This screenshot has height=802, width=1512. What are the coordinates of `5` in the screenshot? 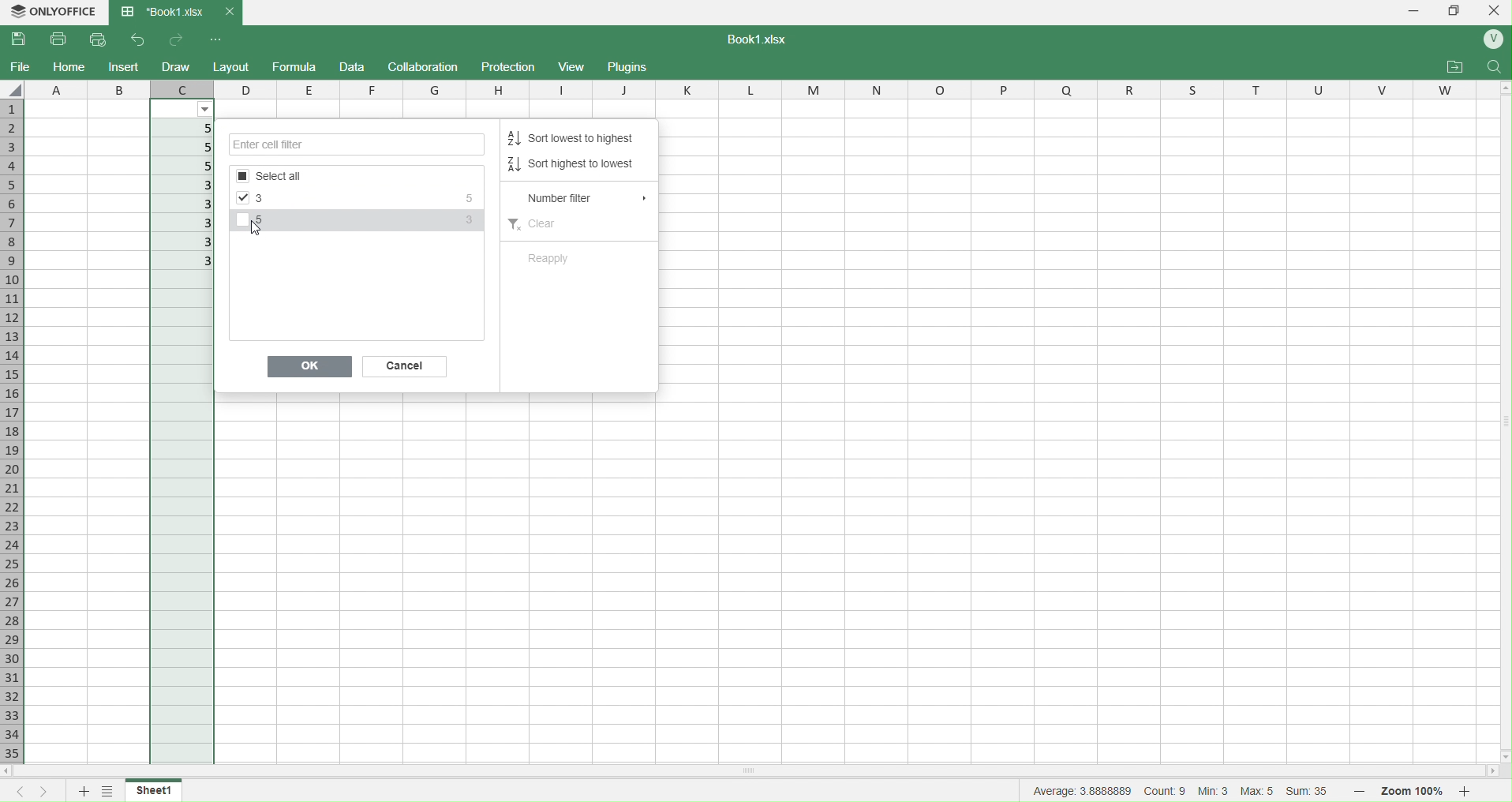 It's located at (191, 147).